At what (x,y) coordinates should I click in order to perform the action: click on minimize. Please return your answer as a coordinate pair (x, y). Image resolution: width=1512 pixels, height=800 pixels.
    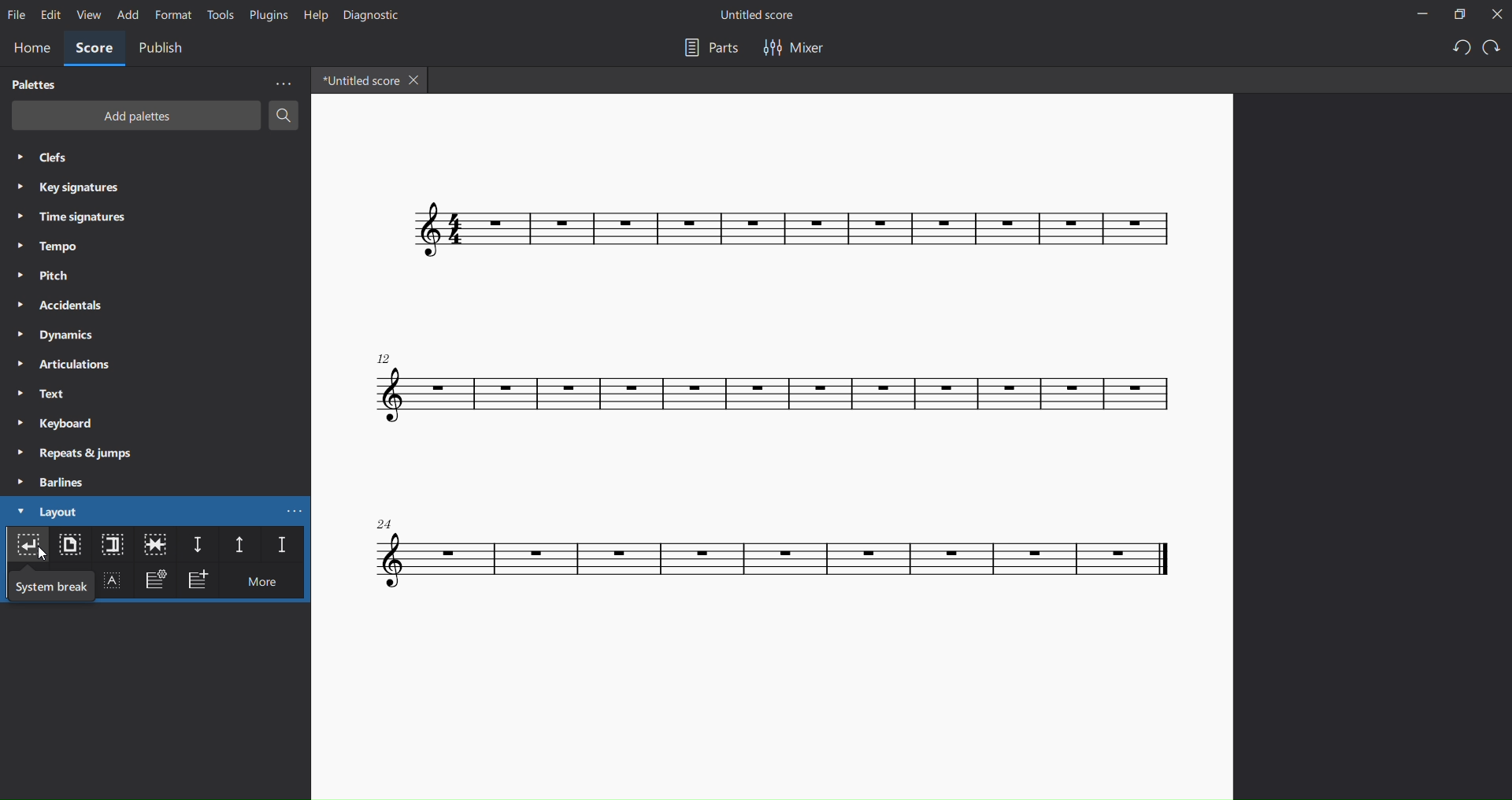
    Looking at the image, I should click on (1414, 15).